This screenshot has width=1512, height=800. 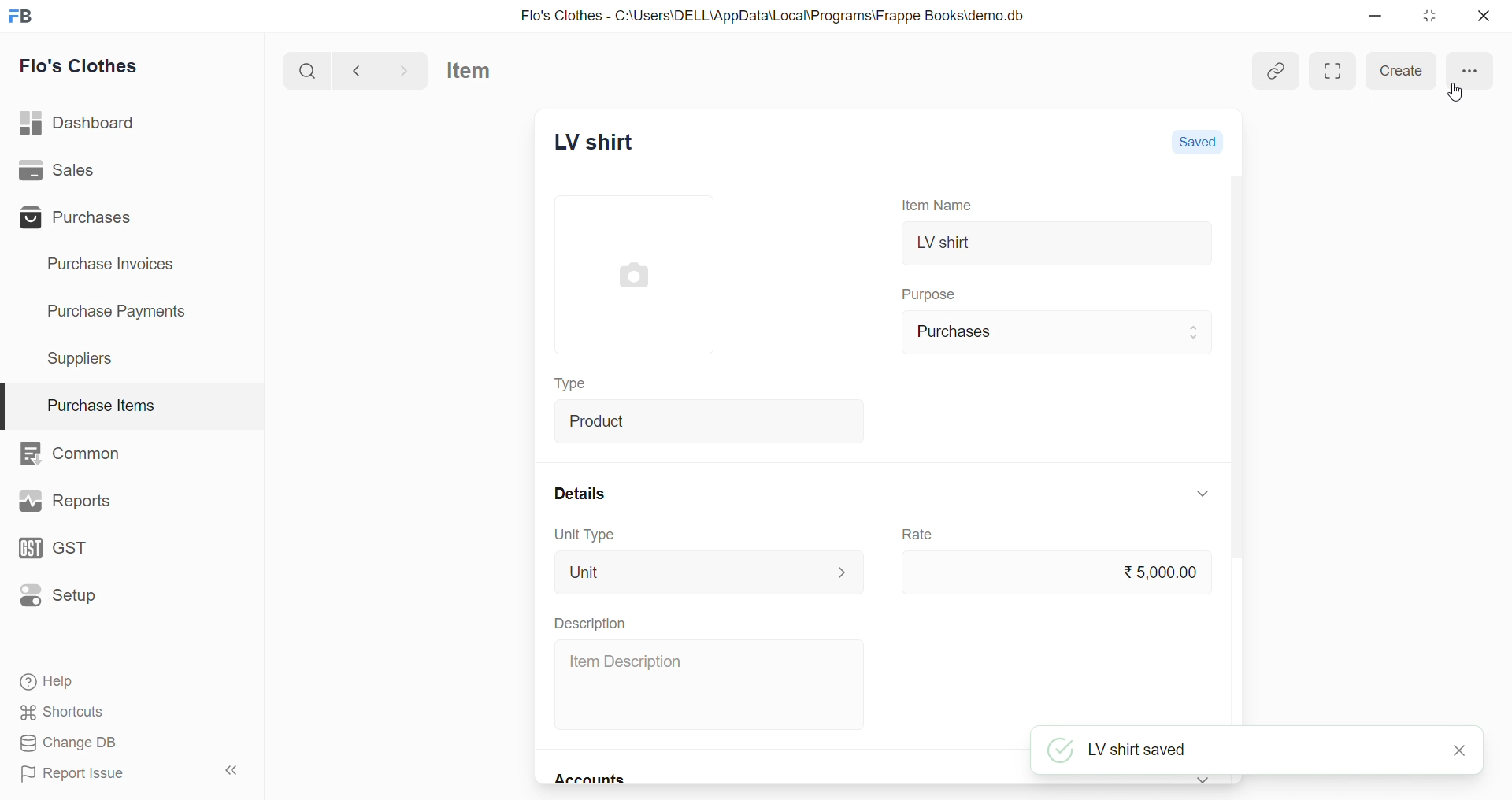 What do you see at coordinates (576, 493) in the screenshot?
I see `Details` at bounding box center [576, 493].